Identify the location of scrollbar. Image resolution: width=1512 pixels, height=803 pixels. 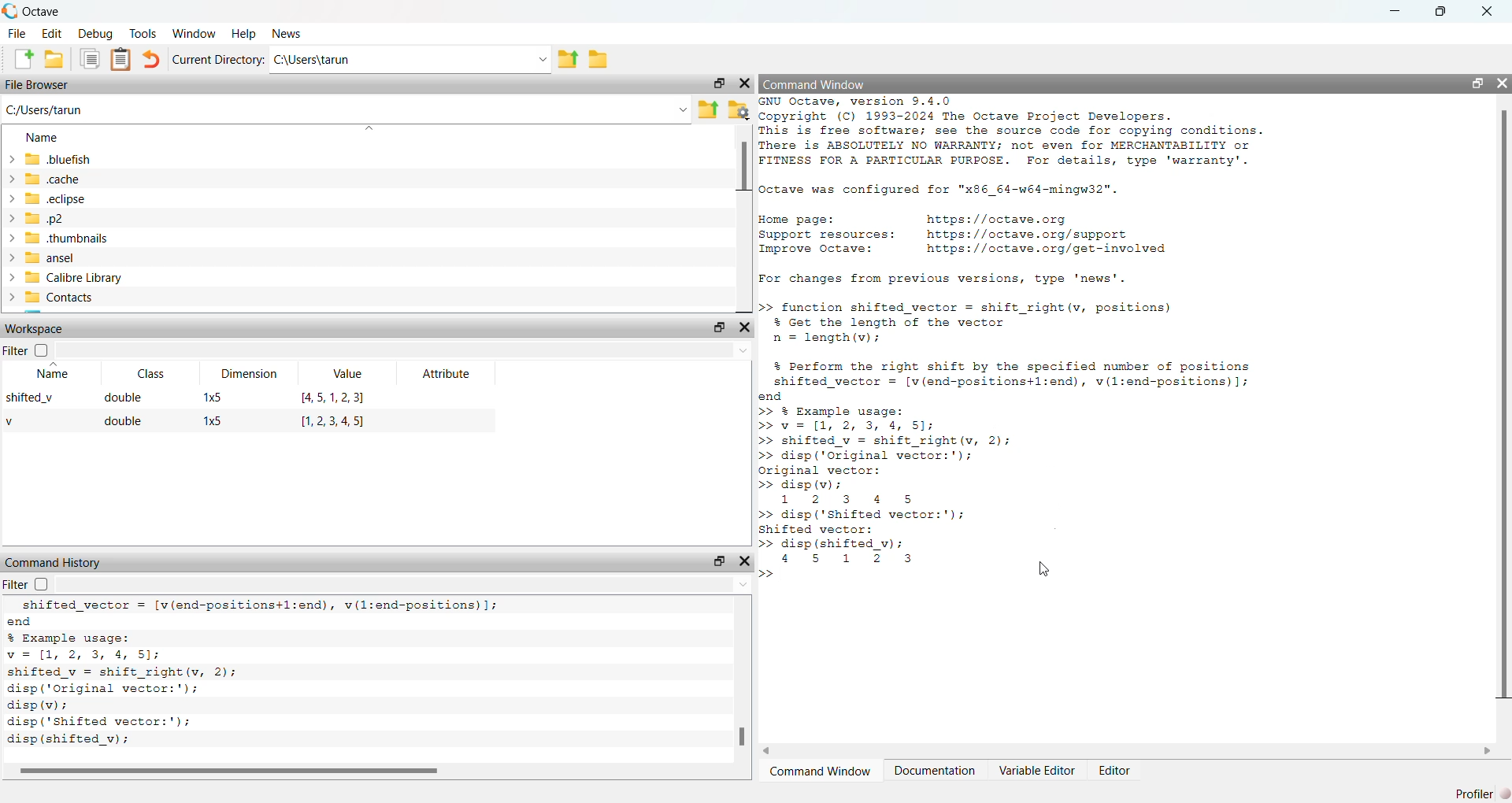
(1499, 409).